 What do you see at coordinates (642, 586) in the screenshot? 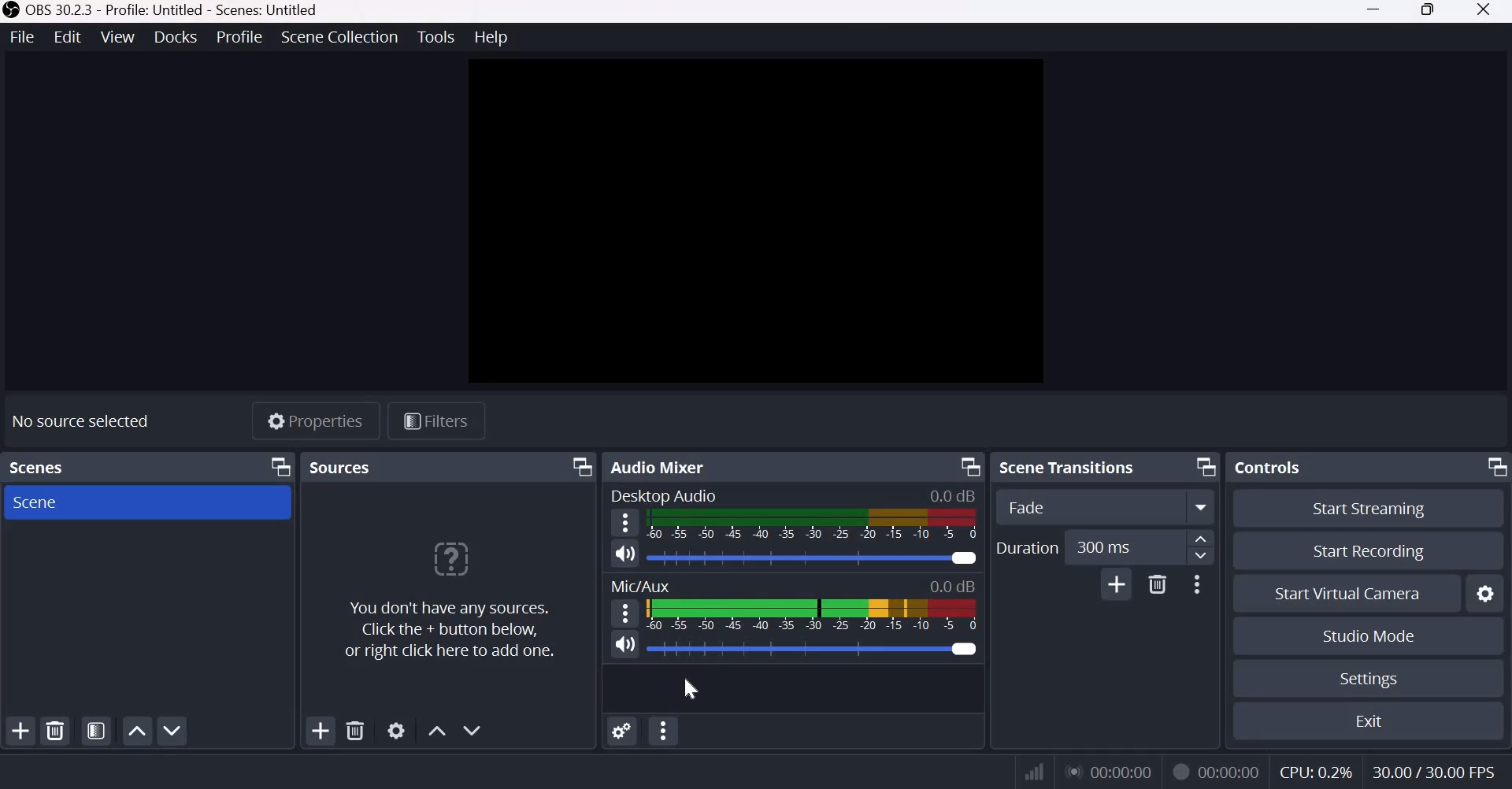
I see `Mic/Aux` at bounding box center [642, 586].